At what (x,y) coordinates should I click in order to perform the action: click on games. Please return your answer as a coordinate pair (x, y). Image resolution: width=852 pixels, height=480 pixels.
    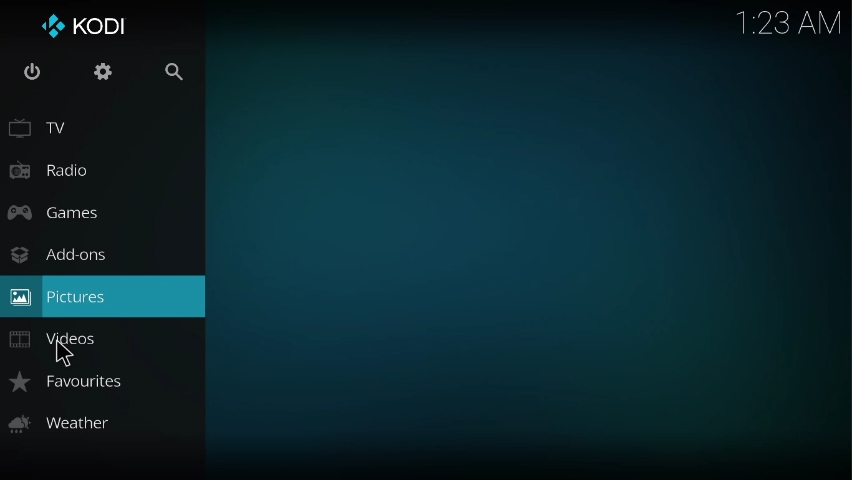
    Looking at the image, I should click on (56, 213).